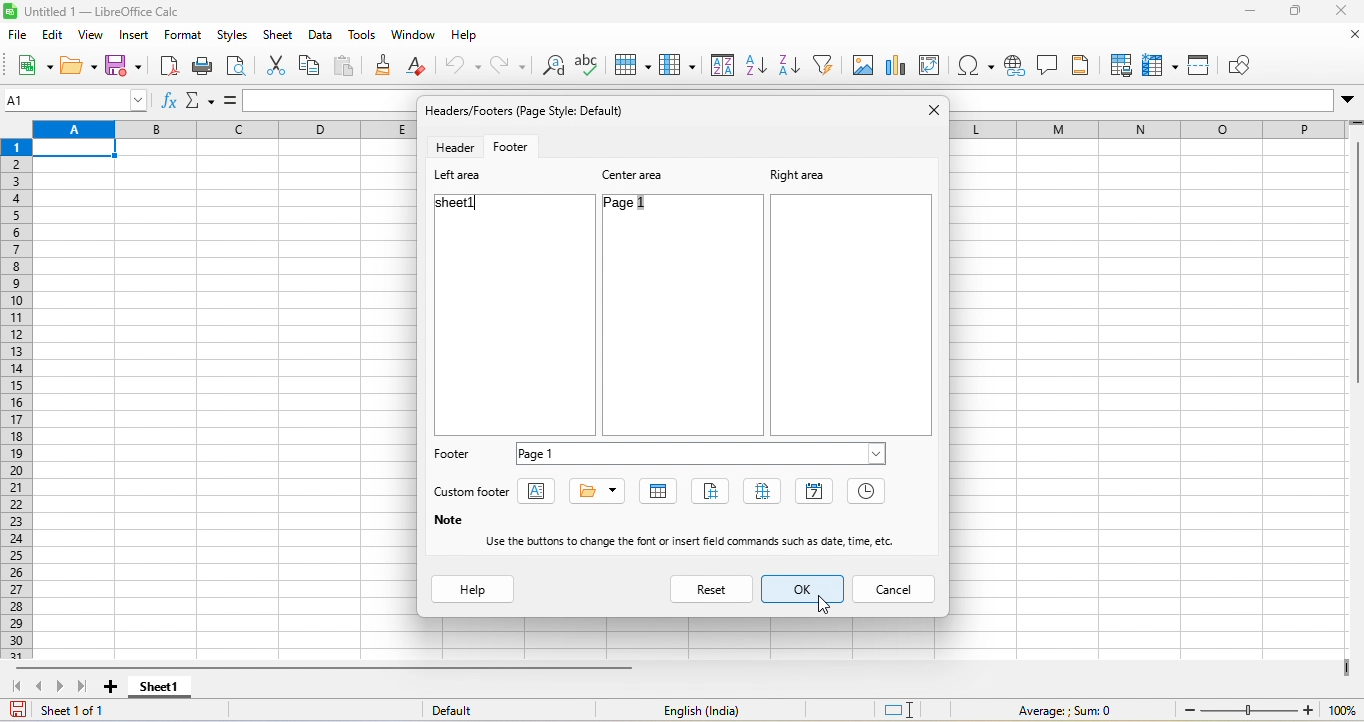  I want to click on date, so click(815, 491).